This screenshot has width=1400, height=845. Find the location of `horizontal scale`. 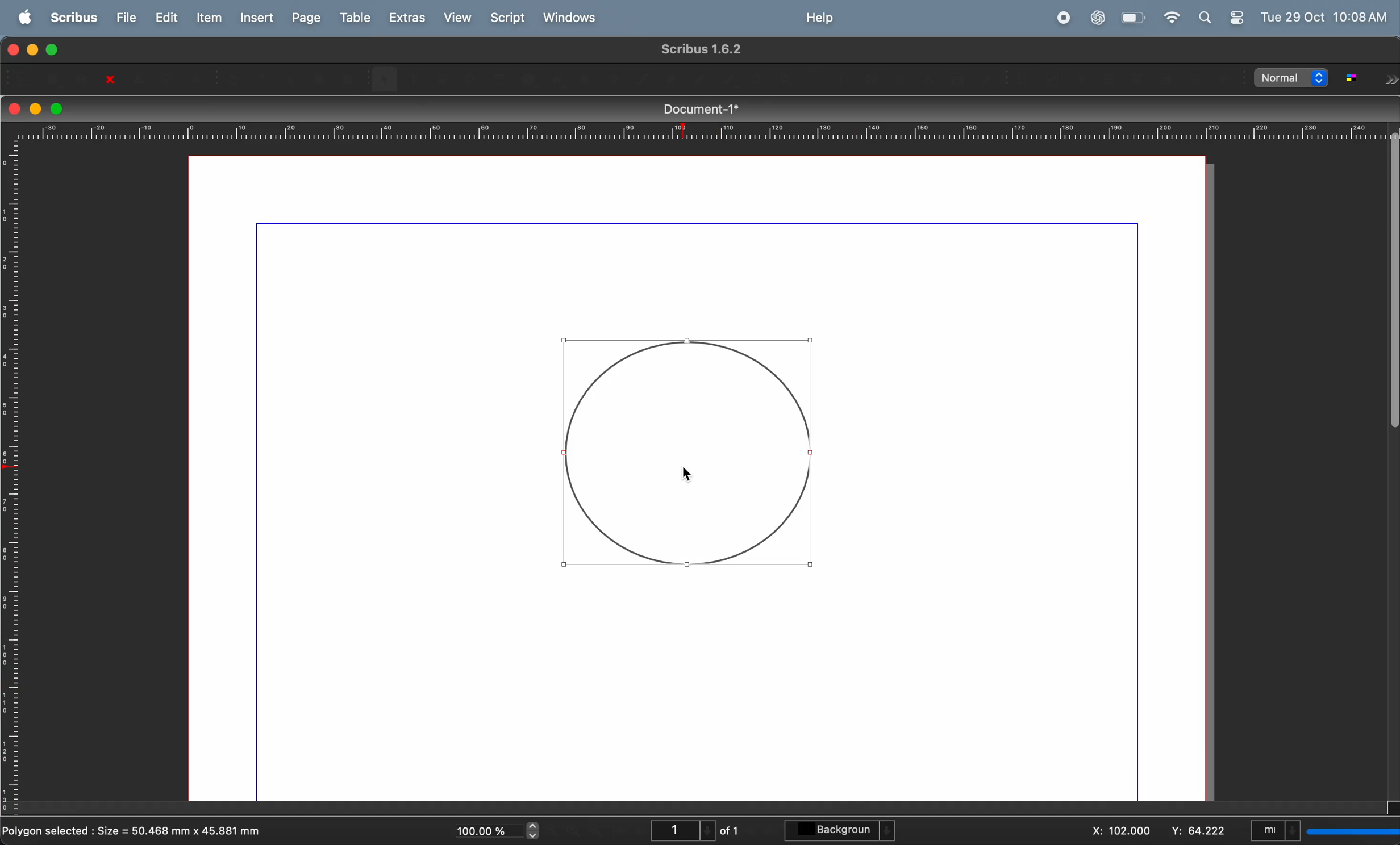

horizontal scale is located at coordinates (693, 131).